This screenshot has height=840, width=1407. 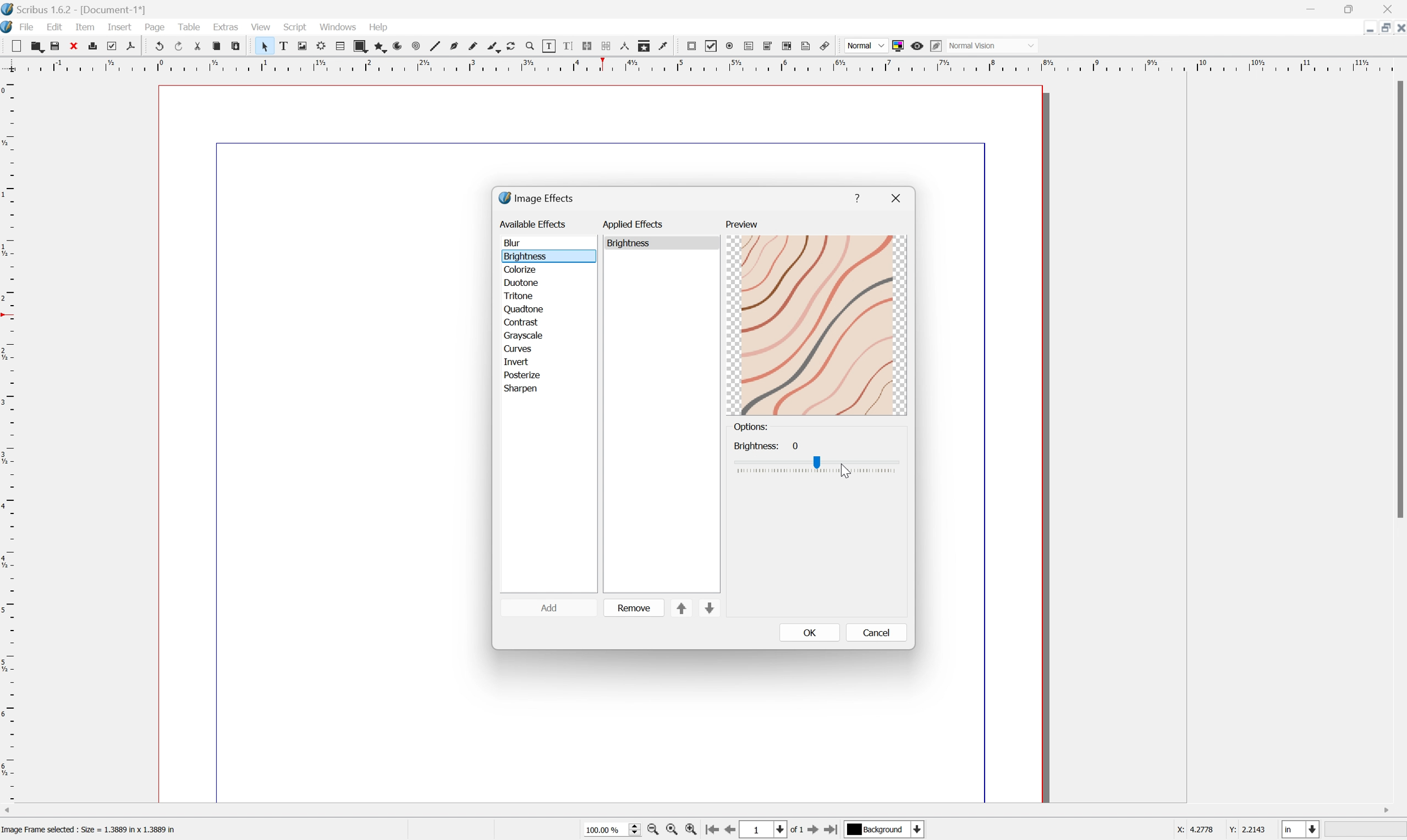 I want to click on Print, so click(x=95, y=46).